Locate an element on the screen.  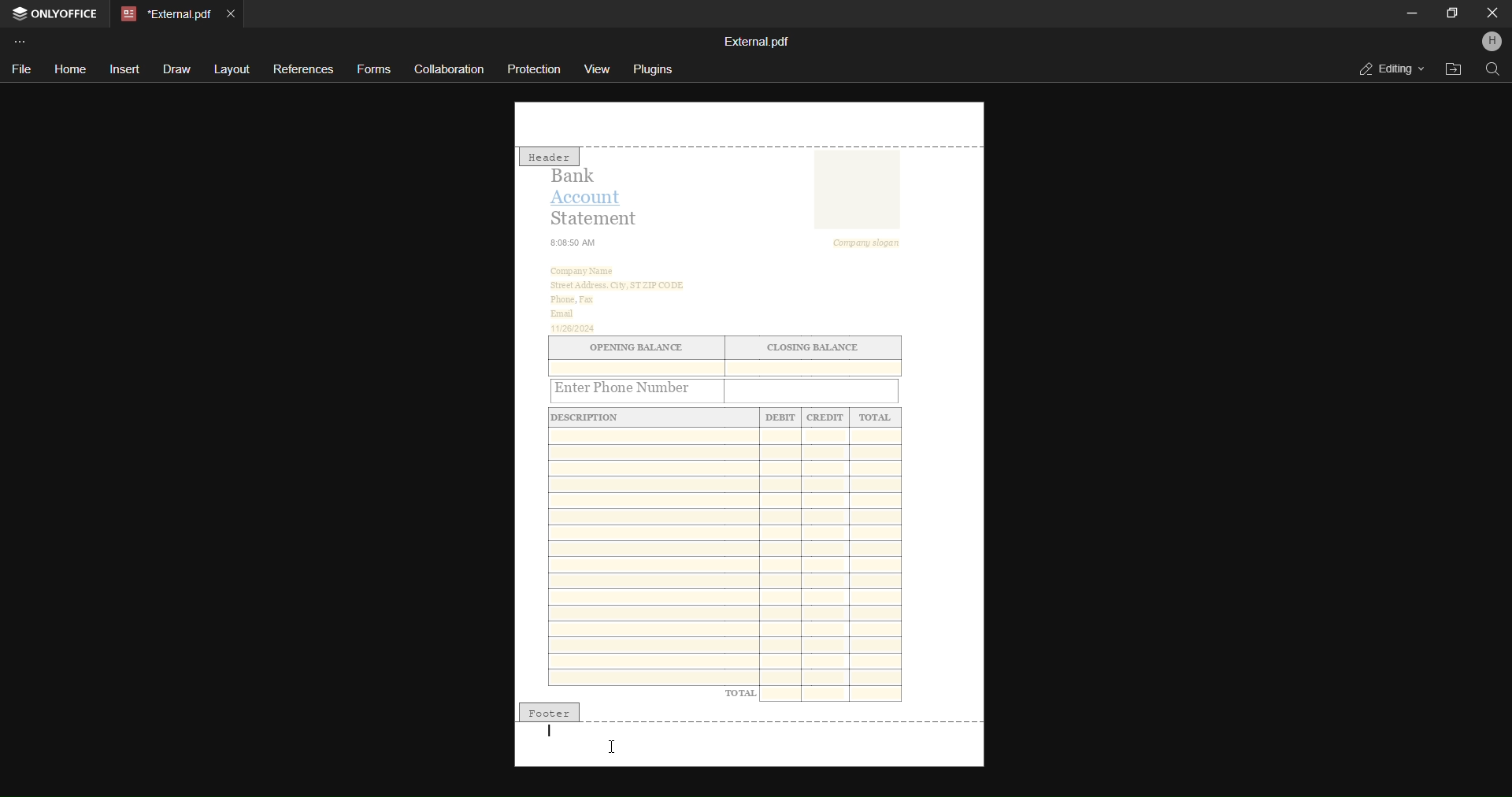
profile is located at coordinates (1492, 43).